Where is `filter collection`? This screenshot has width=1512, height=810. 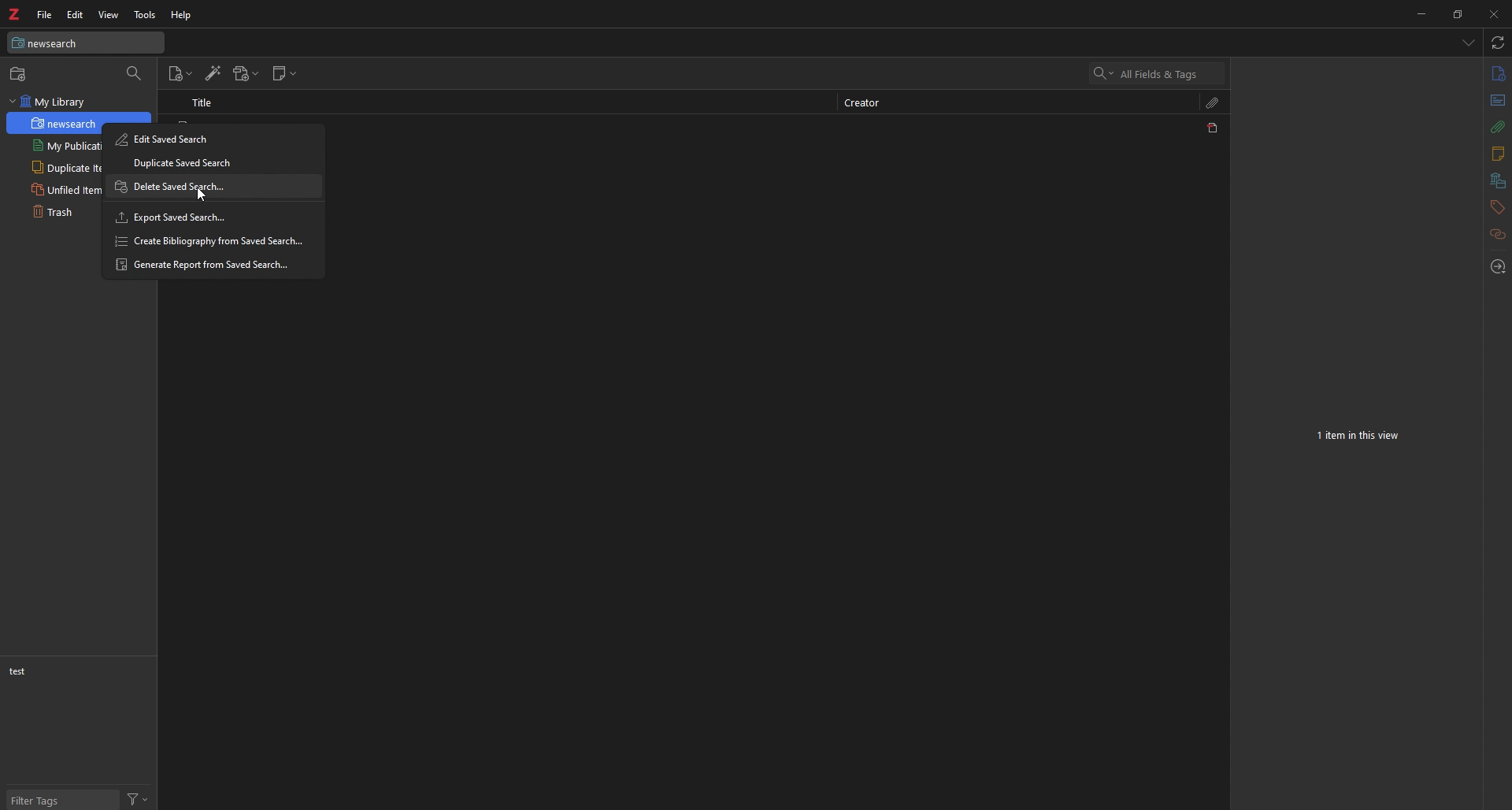 filter collection is located at coordinates (134, 73).